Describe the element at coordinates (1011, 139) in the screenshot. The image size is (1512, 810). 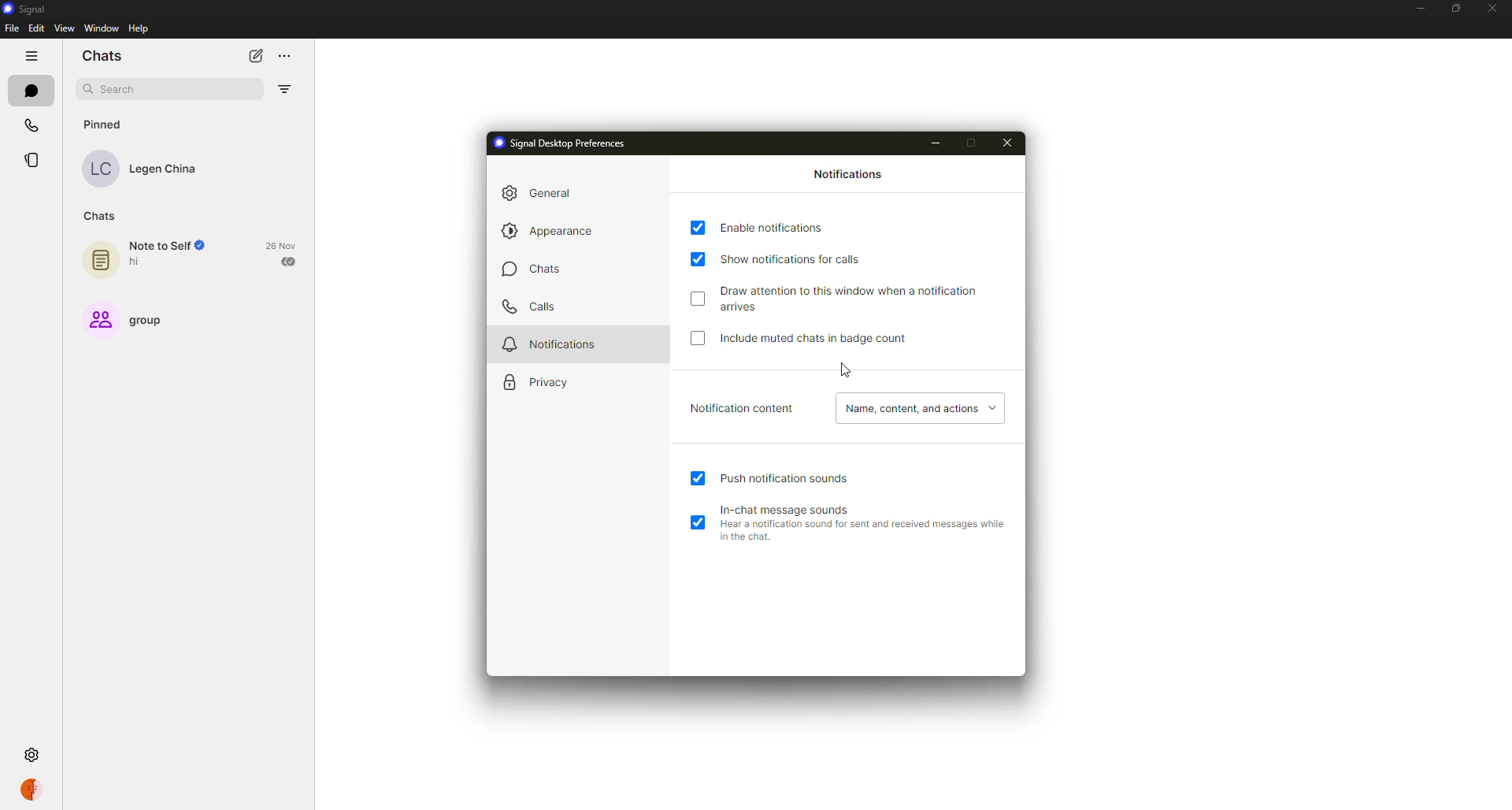
I see `close` at that location.